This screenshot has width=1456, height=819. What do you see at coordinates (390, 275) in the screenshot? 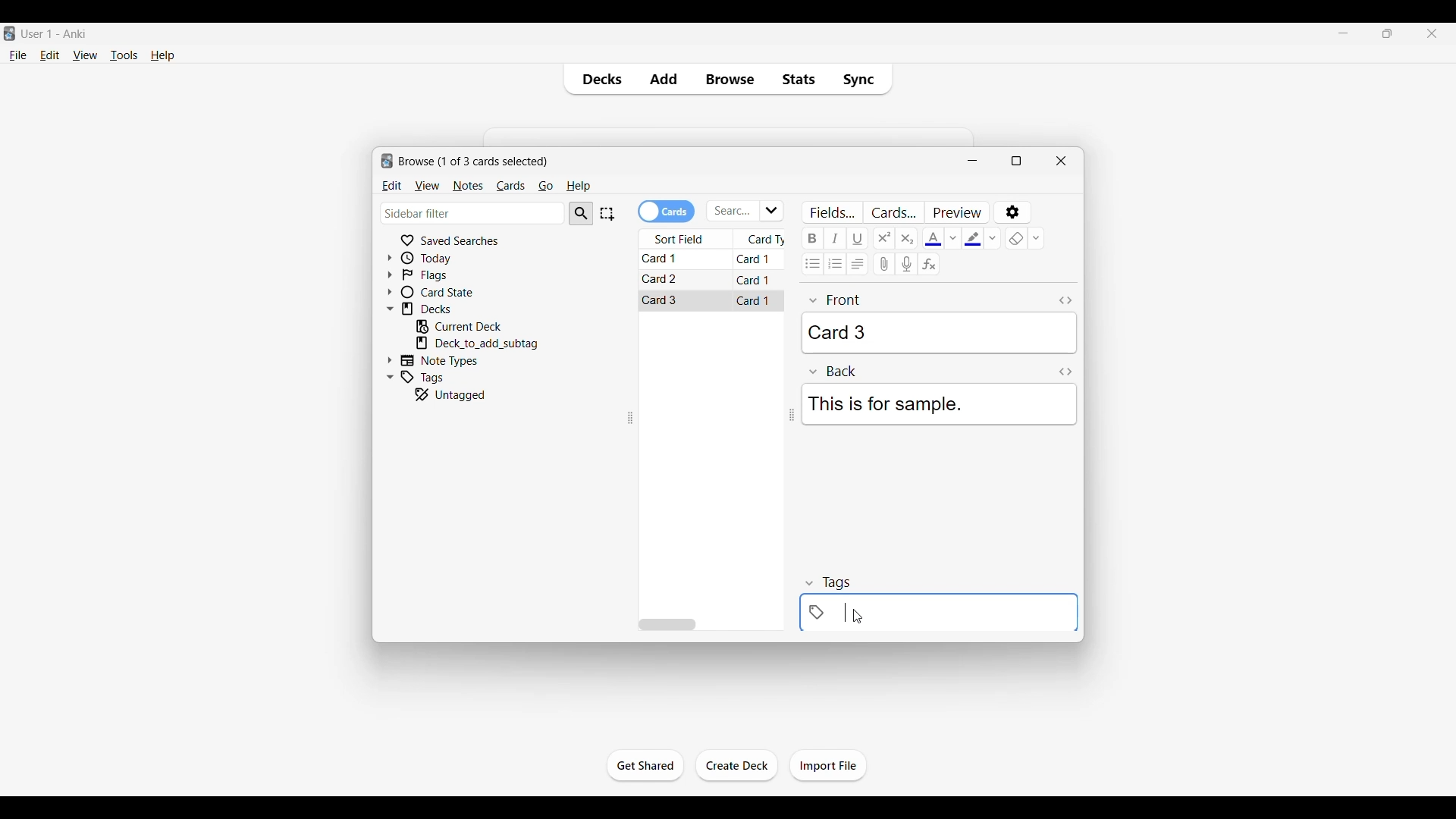
I see `Click to expand flags` at bounding box center [390, 275].